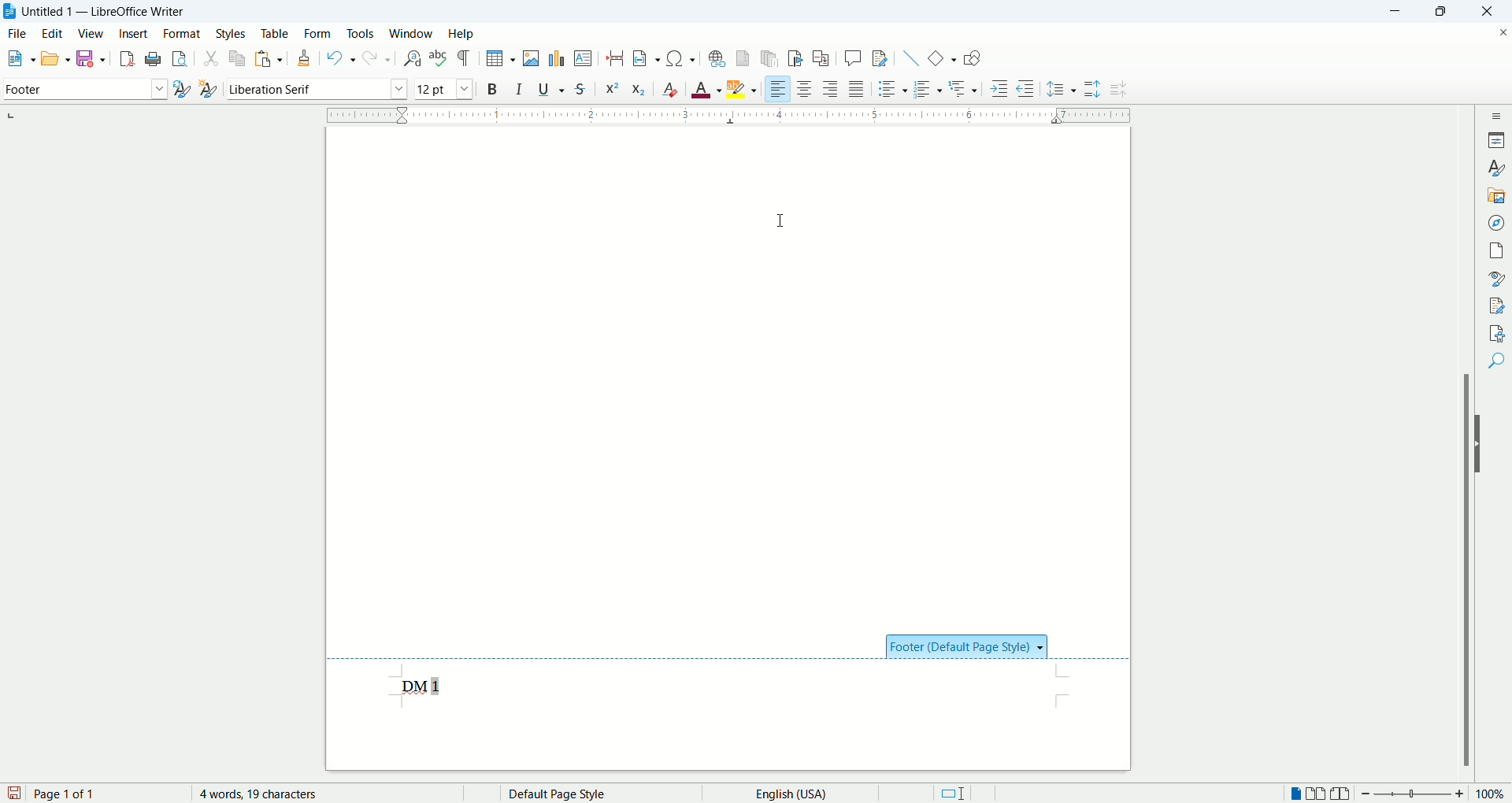 The image size is (1512, 803). What do you see at coordinates (124, 58) in the screenshot?
I see `export as pdf` at bounding box center [124, 58].